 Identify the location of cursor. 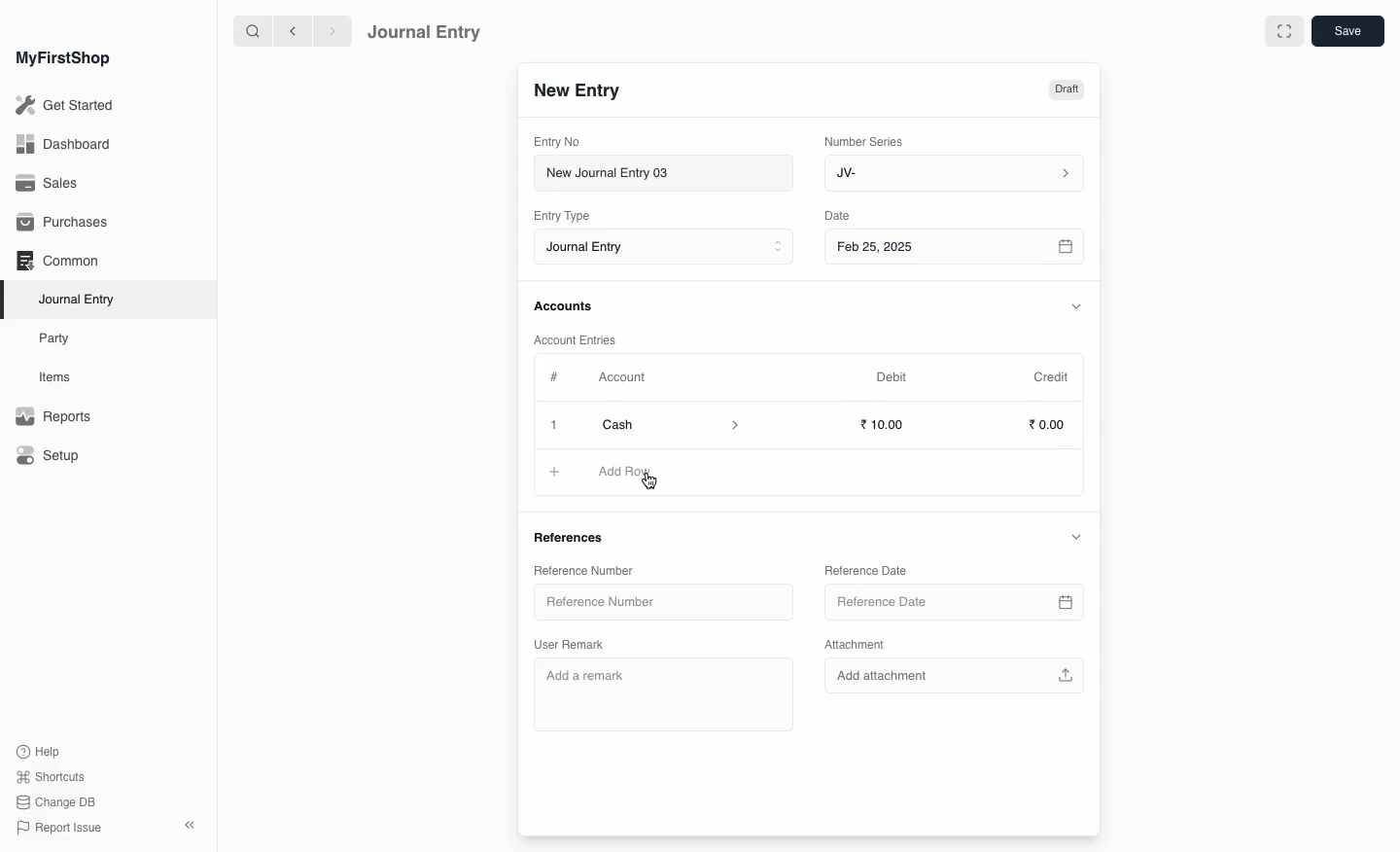
(650, 482).